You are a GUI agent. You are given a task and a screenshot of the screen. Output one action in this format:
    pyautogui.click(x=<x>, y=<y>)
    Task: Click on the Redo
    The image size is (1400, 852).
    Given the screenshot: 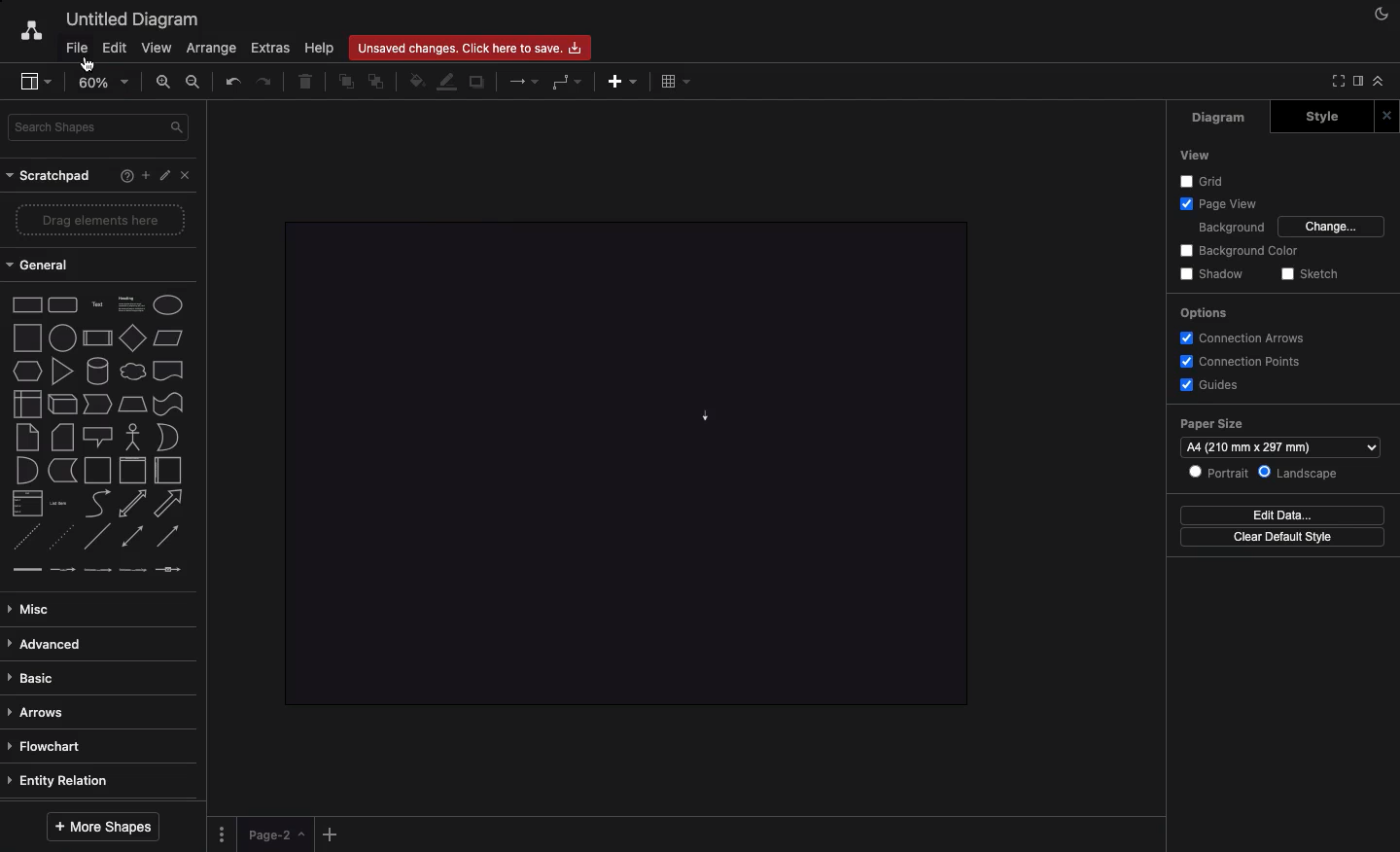 What is the action you would take?
    pyautogui.click(x=267, y=83)
    